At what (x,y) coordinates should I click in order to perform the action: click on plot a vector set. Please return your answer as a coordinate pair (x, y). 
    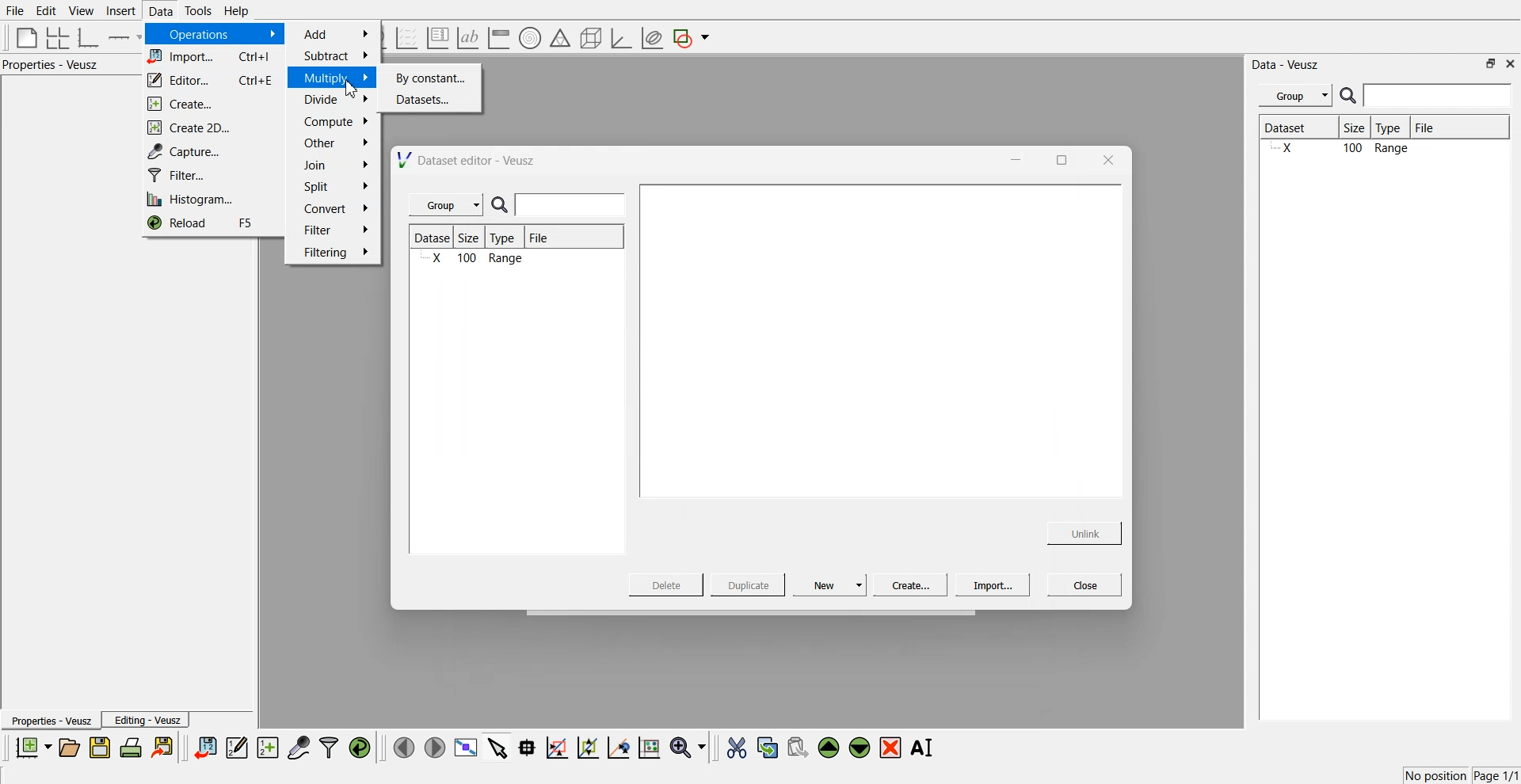
    Looking at the image, I should click on (408, 38).